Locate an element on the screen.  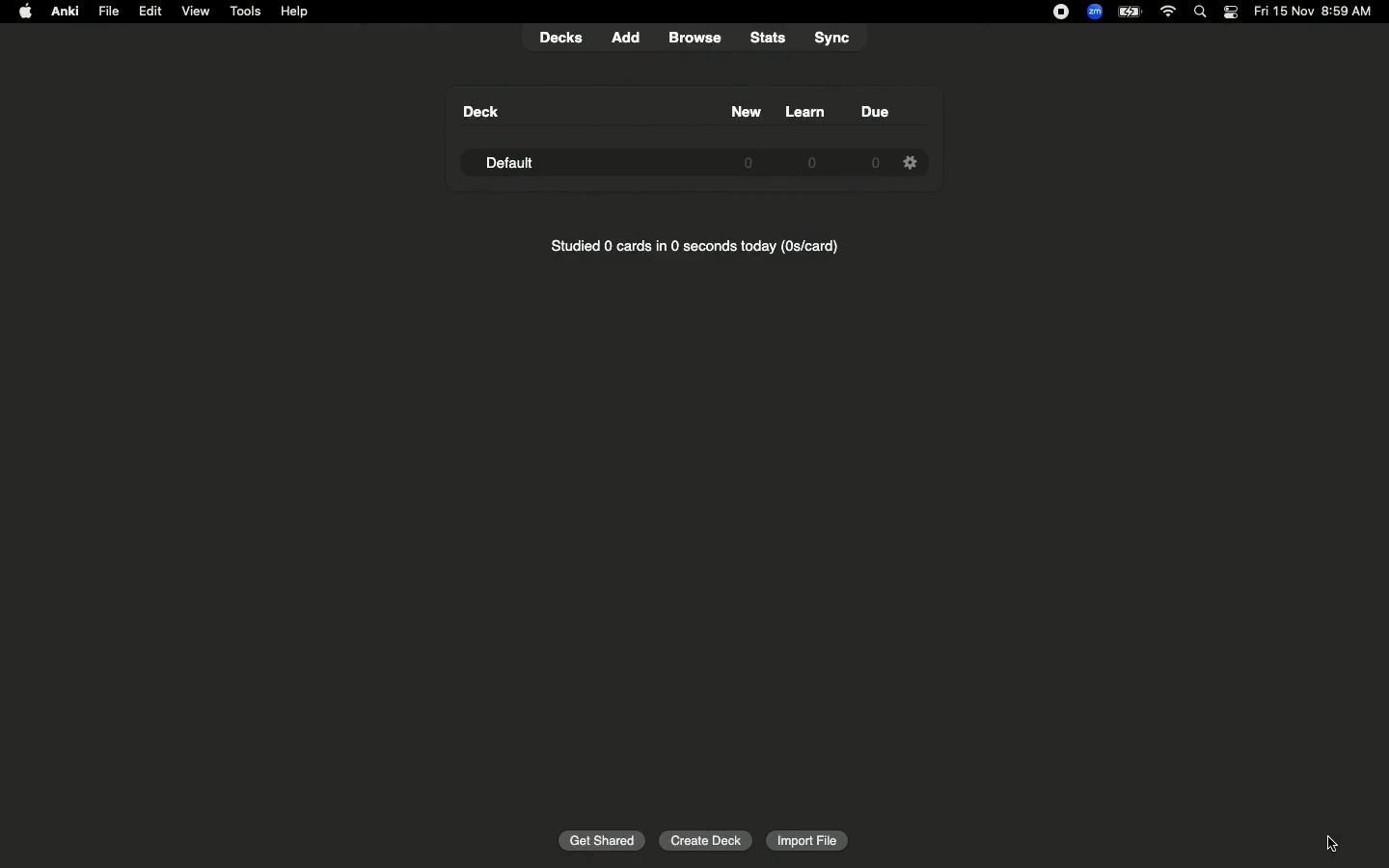
Notification is located at coordinates (1231, 14).